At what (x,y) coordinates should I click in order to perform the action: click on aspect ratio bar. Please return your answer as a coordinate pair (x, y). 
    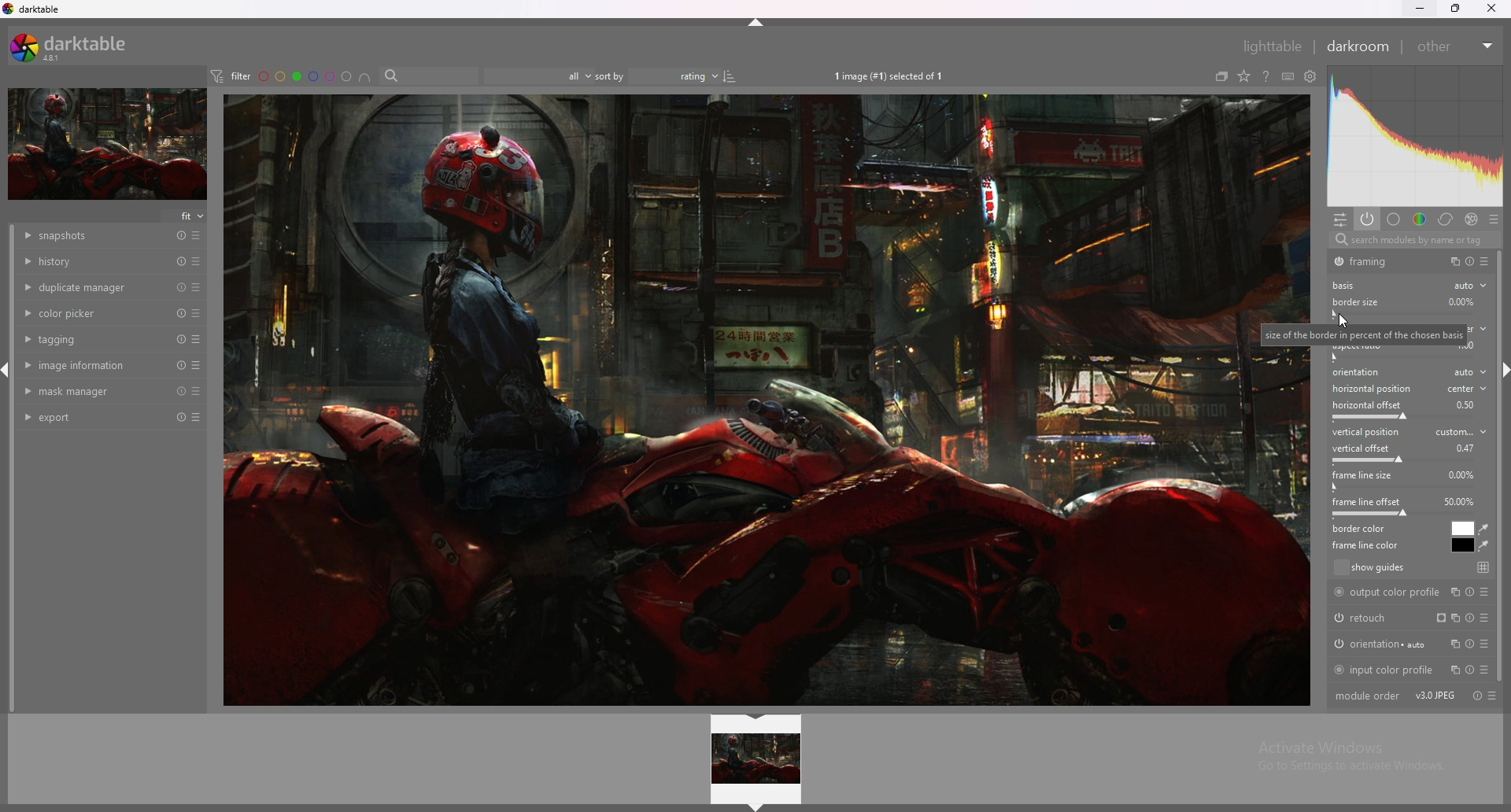
    Looking at the image, I should click on (1402, 357).